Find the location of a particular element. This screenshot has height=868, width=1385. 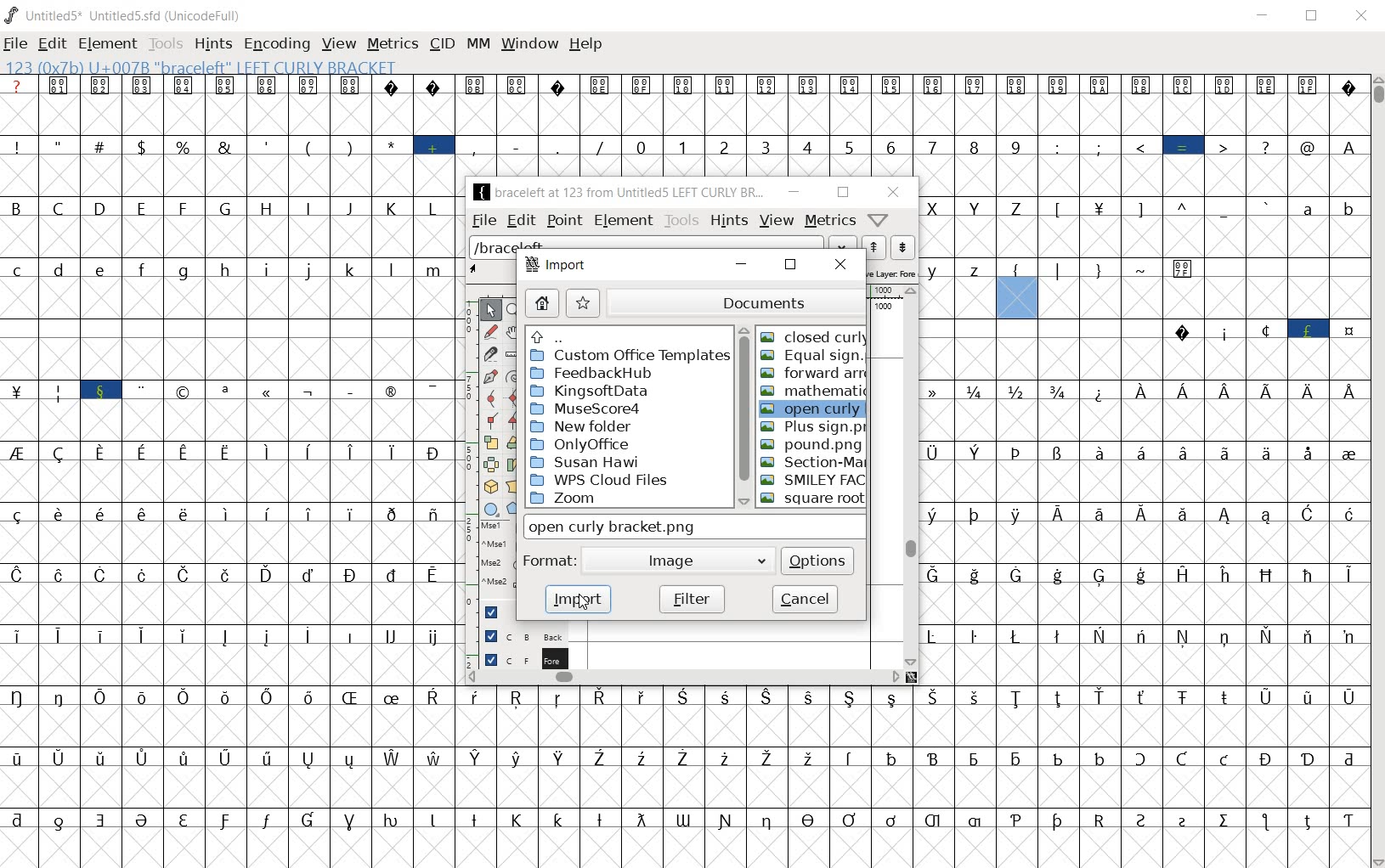

onlyoffice is located at coordinates (582, 442).